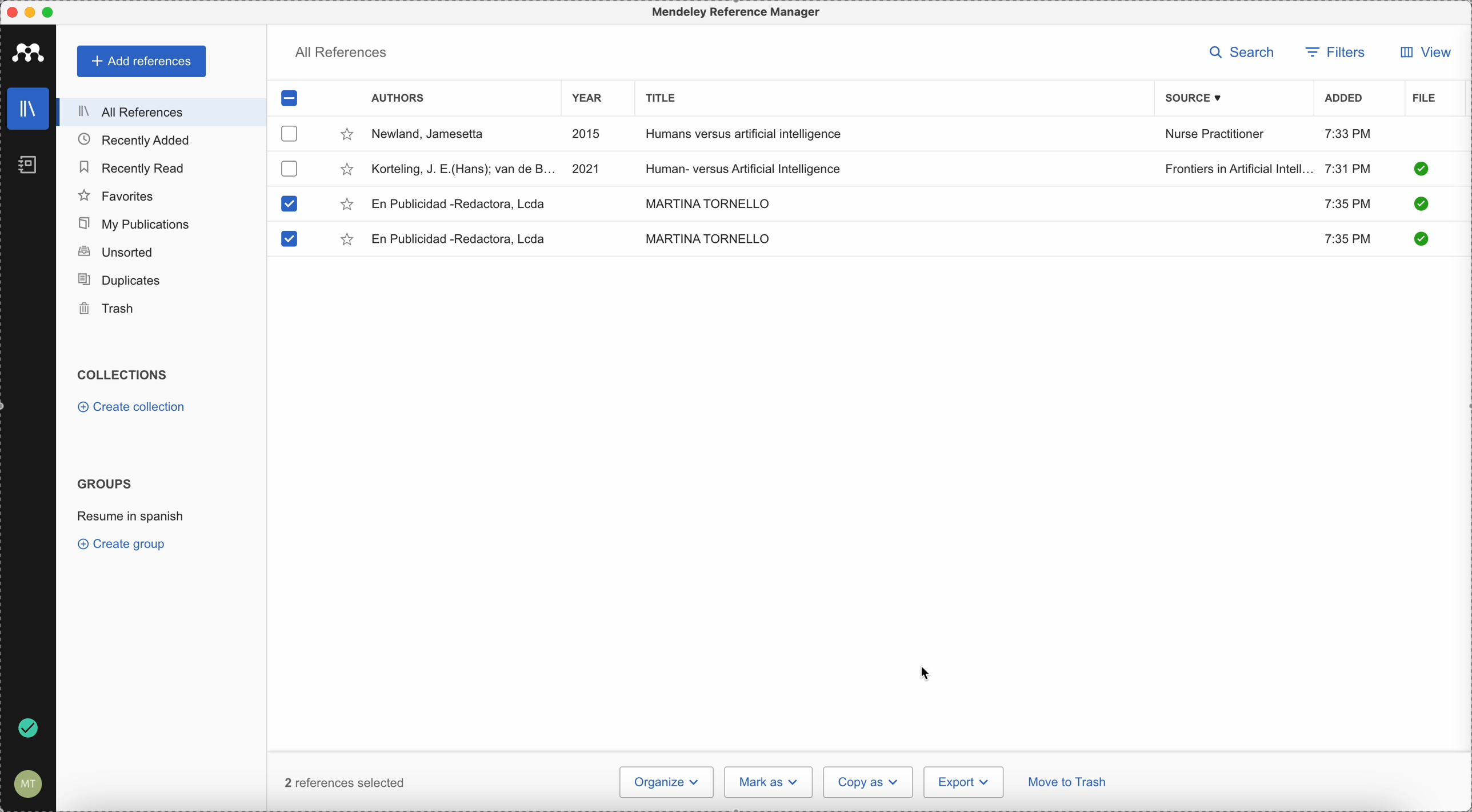  I want to click on move to trash, so click(1069, 784).